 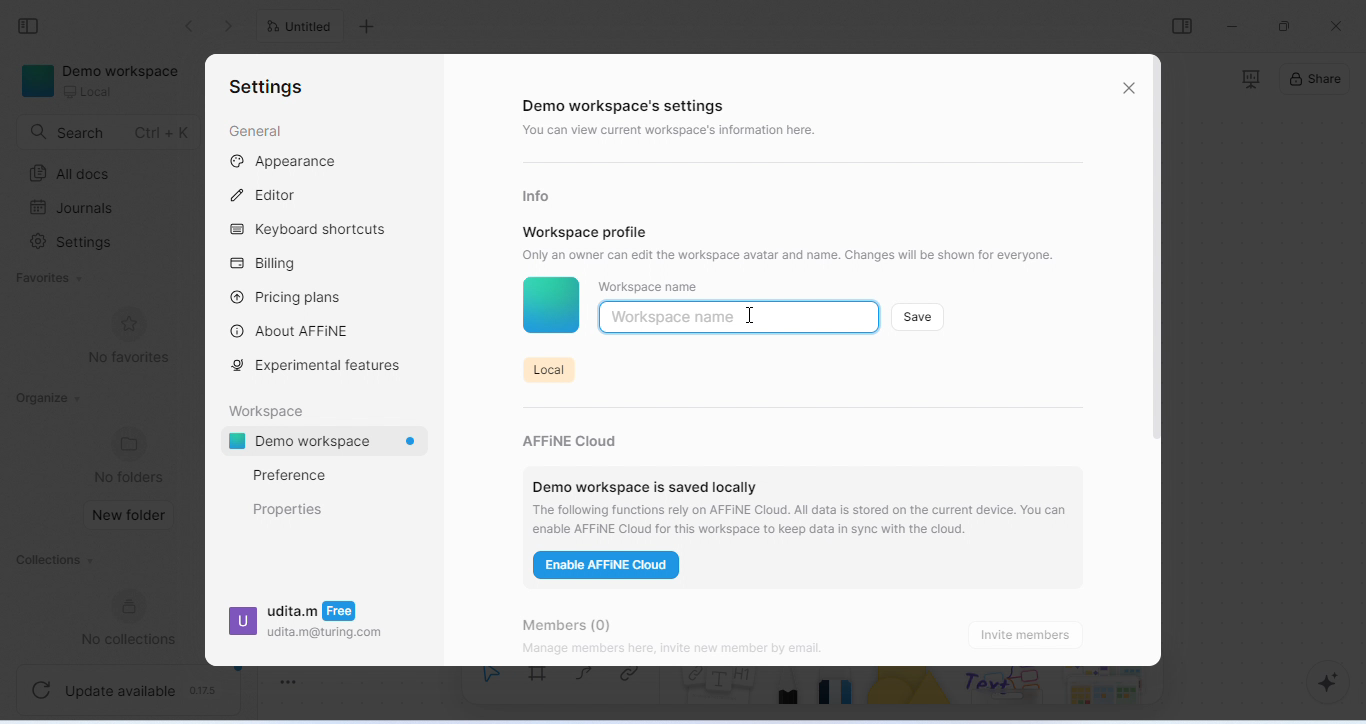 What do you see at coordinates (576, 436) in the screenshot?
I see `affine cloud` at bounding box center [576, 436].